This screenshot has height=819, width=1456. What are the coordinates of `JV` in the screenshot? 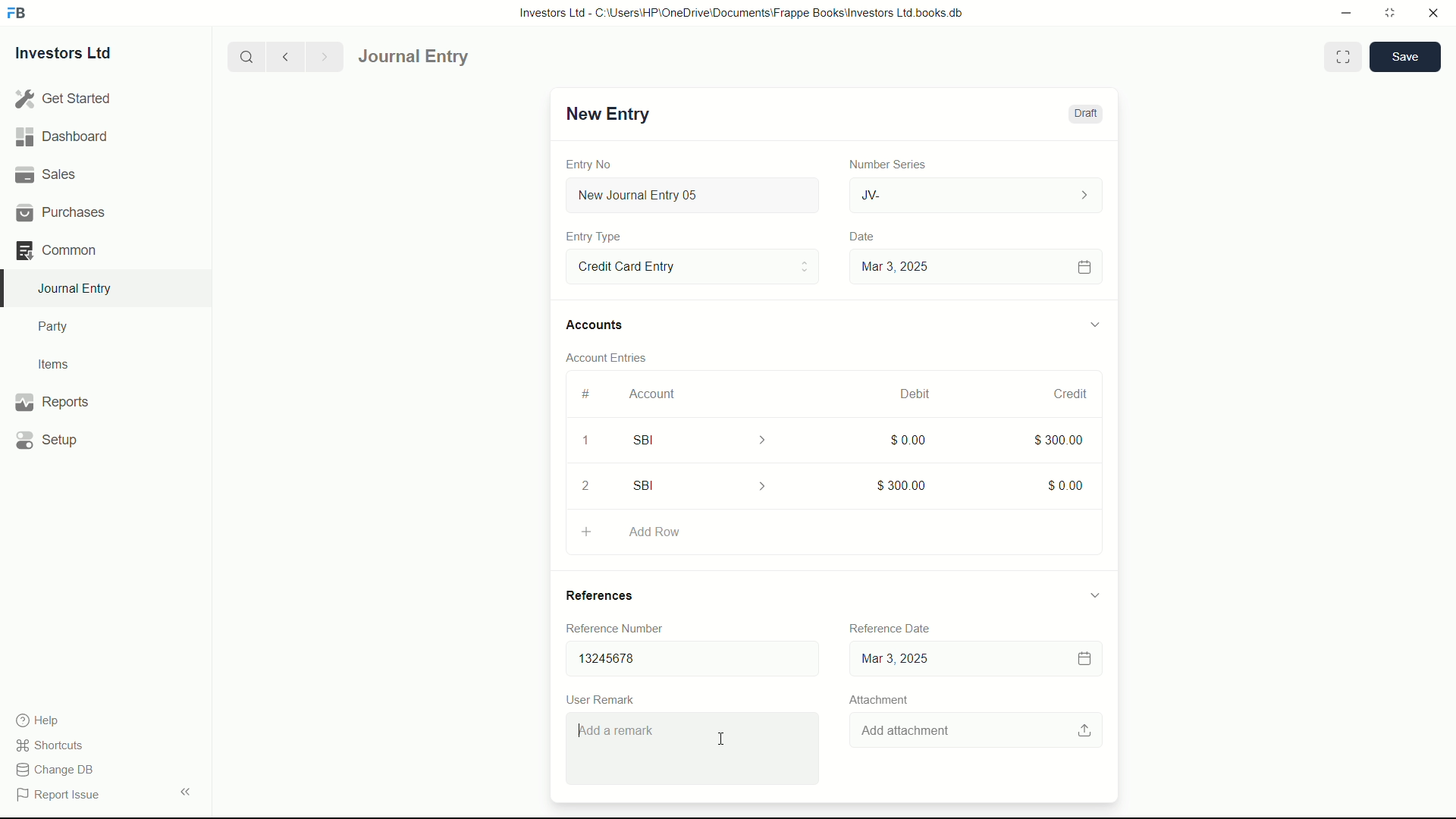 It's located at (978, 193).